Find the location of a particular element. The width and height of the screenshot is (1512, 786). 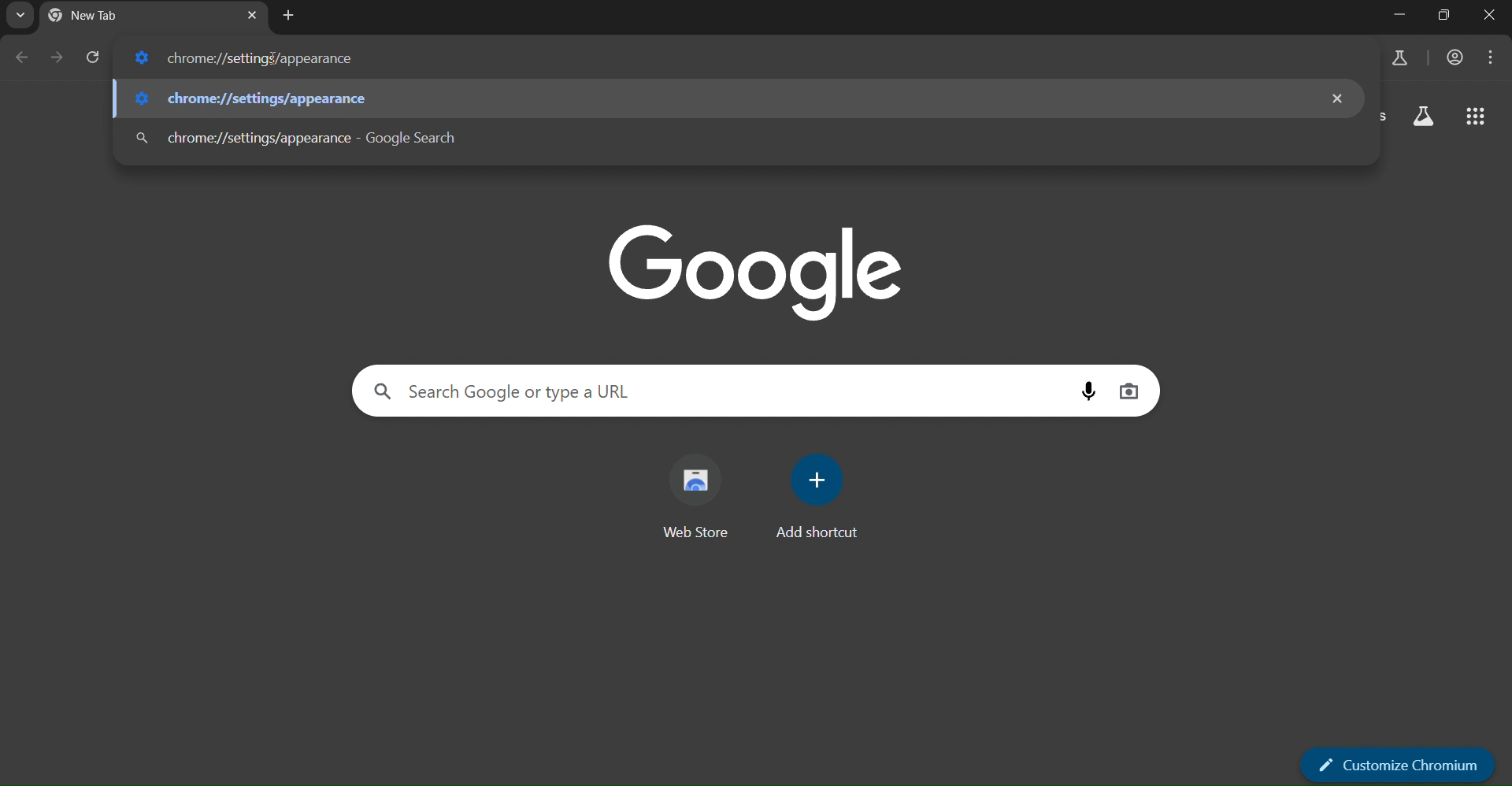

minimize is located at coordinates (1403, 15).